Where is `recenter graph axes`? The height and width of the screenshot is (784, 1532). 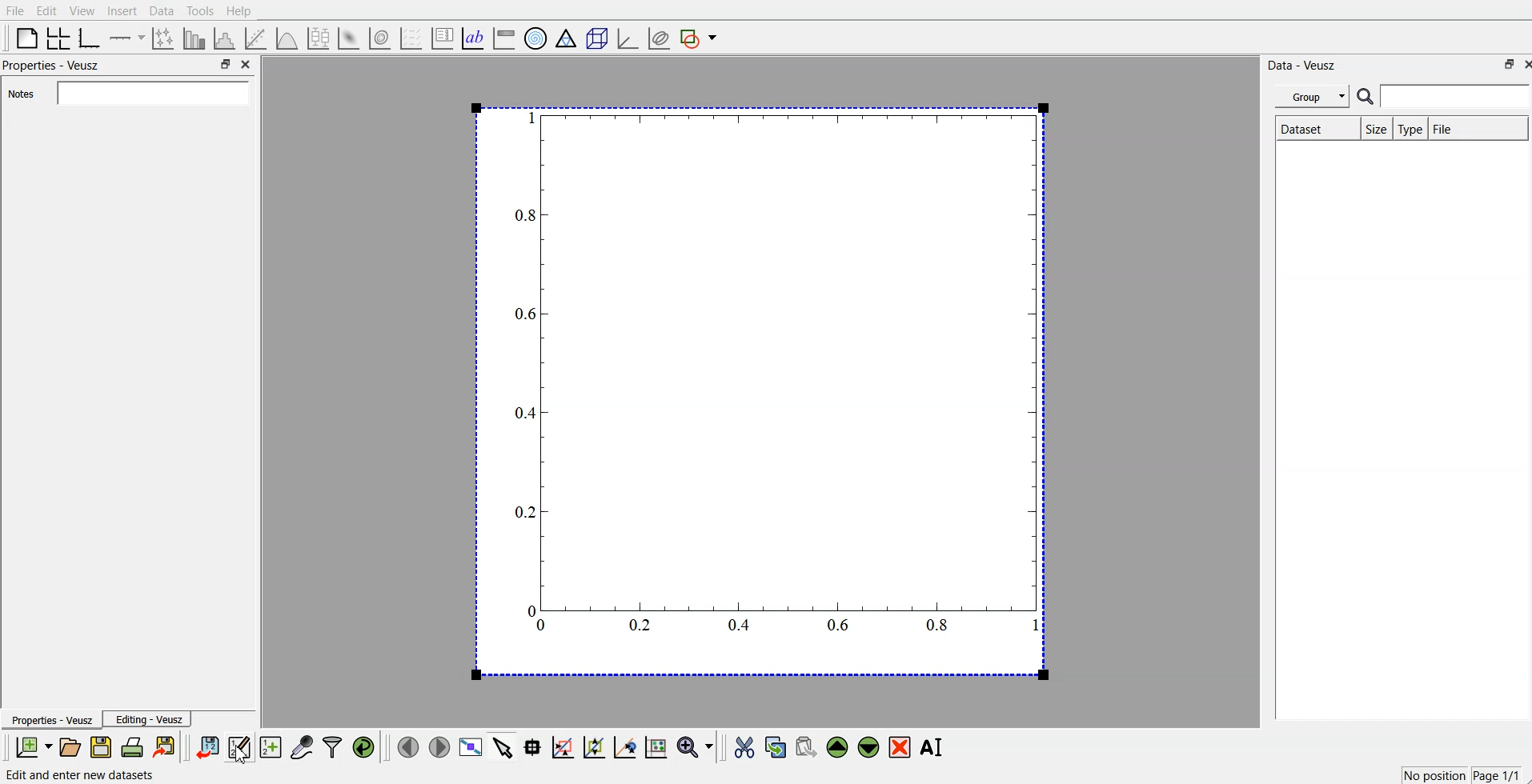
recenter graph axes is located at coordinates (624, 747).